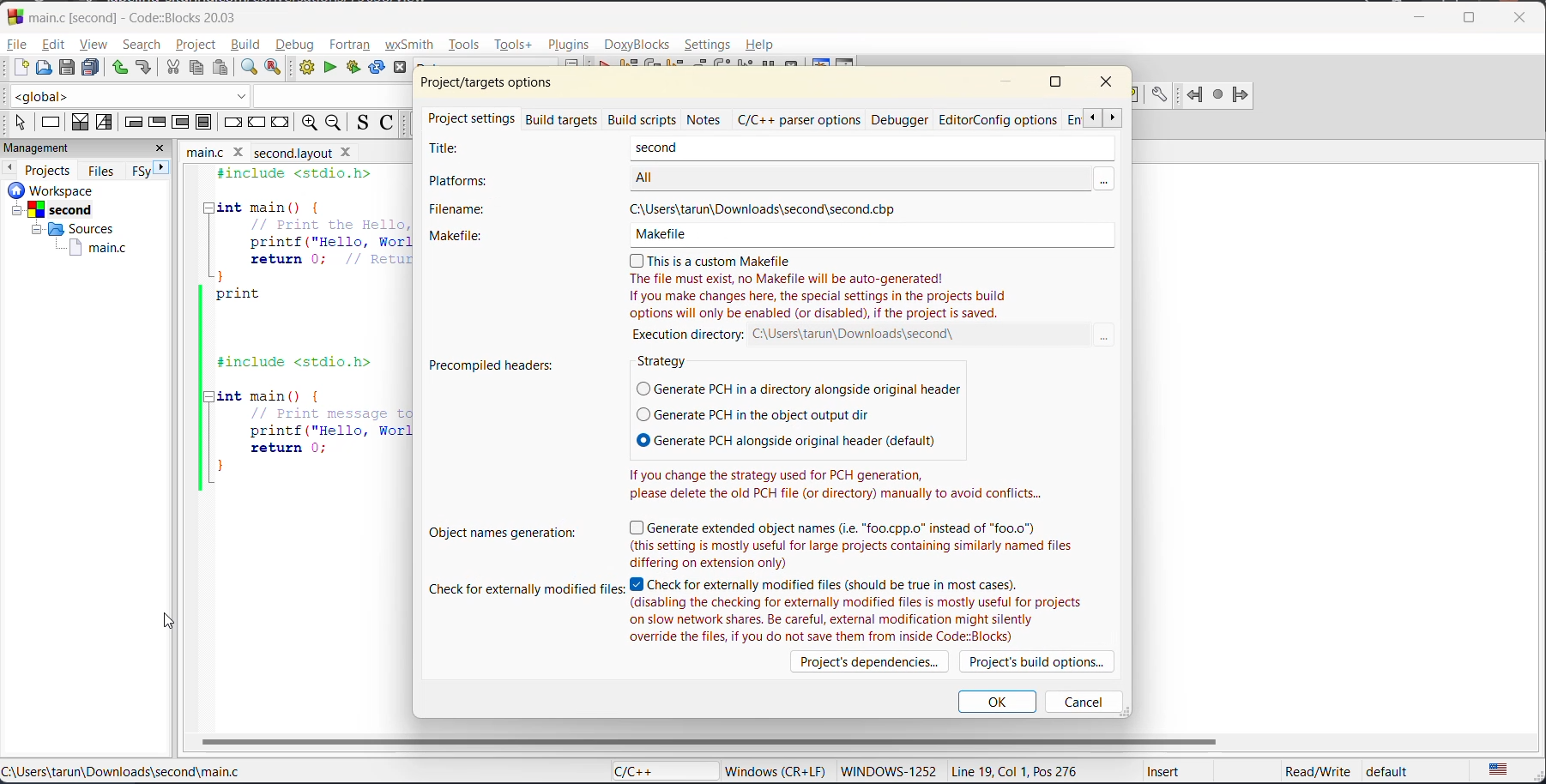 This screenshot has width=1546, height=784. Describe the element at coordinates (709, 46) in the screenshot. I see `settings` at that location.